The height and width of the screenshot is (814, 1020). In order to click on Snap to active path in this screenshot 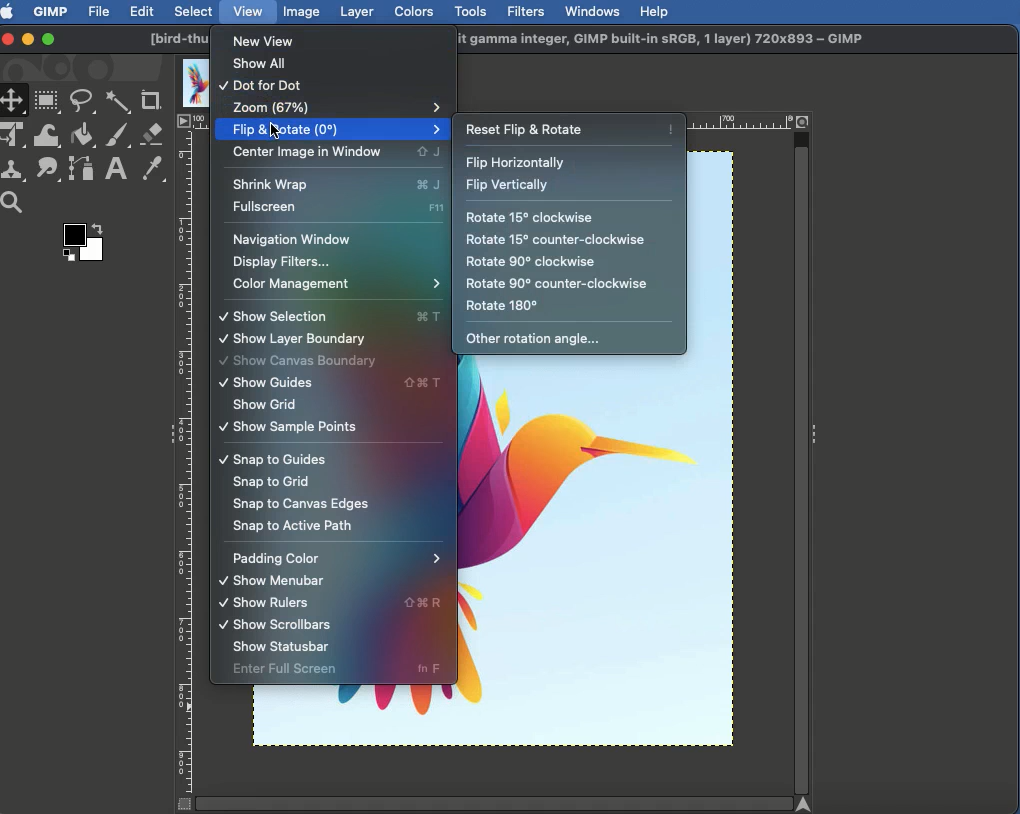, I will do `click(293, 525)`.